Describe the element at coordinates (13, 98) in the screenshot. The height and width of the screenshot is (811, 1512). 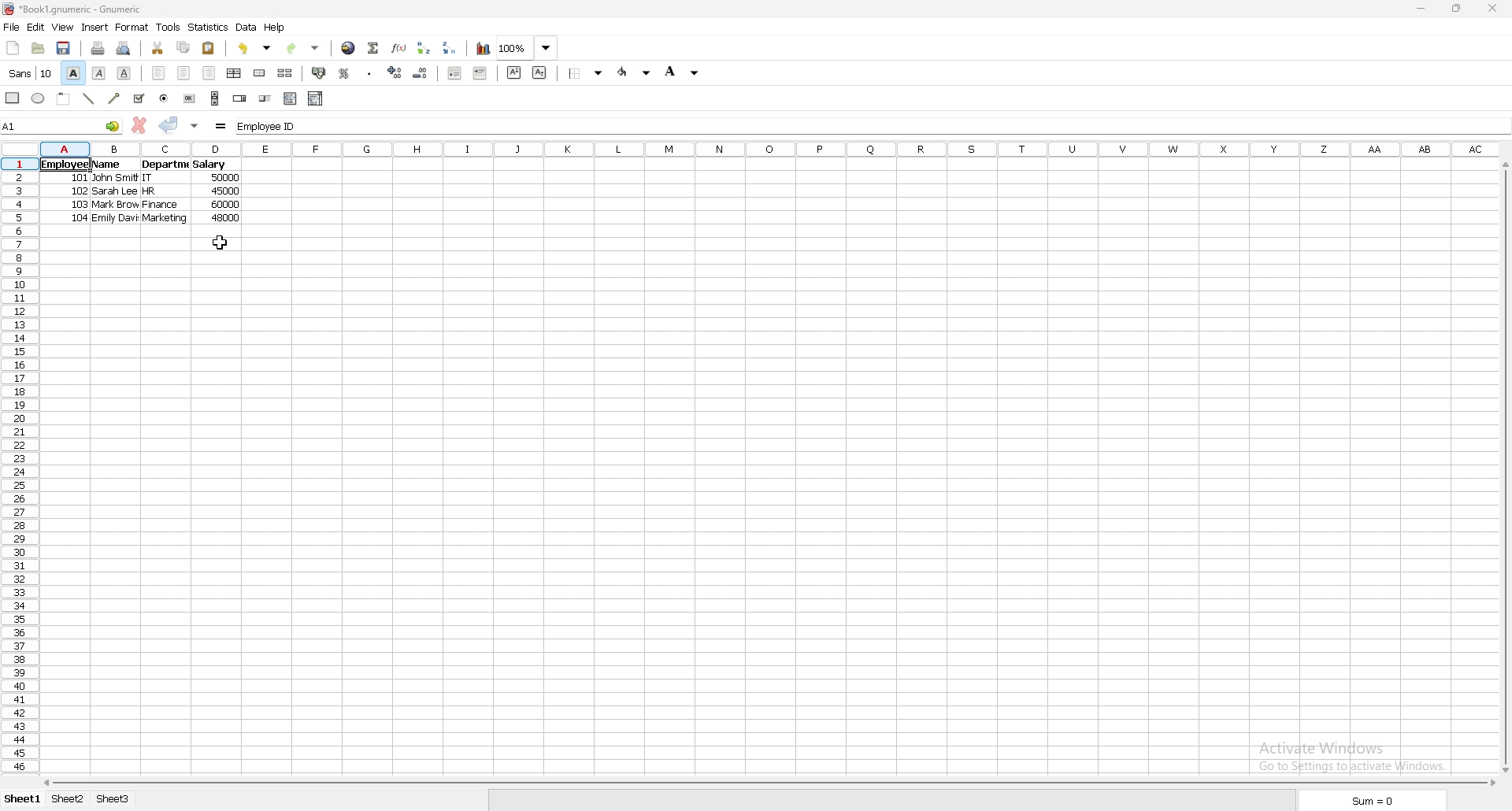
I see `rectangle` at that location.